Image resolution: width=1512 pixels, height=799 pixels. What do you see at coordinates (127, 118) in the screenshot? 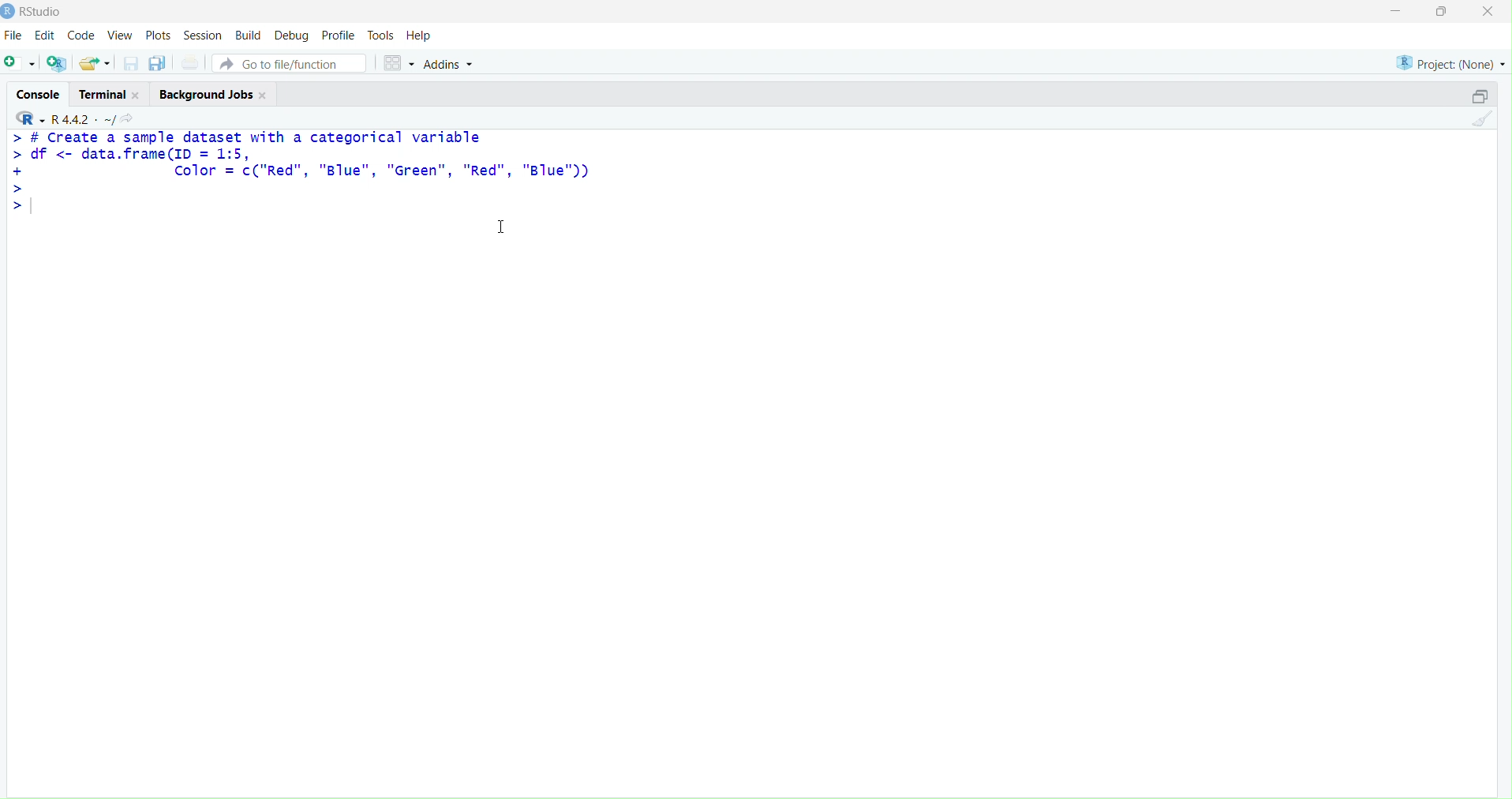
I see `share icon` at bounding box center [127, 118].